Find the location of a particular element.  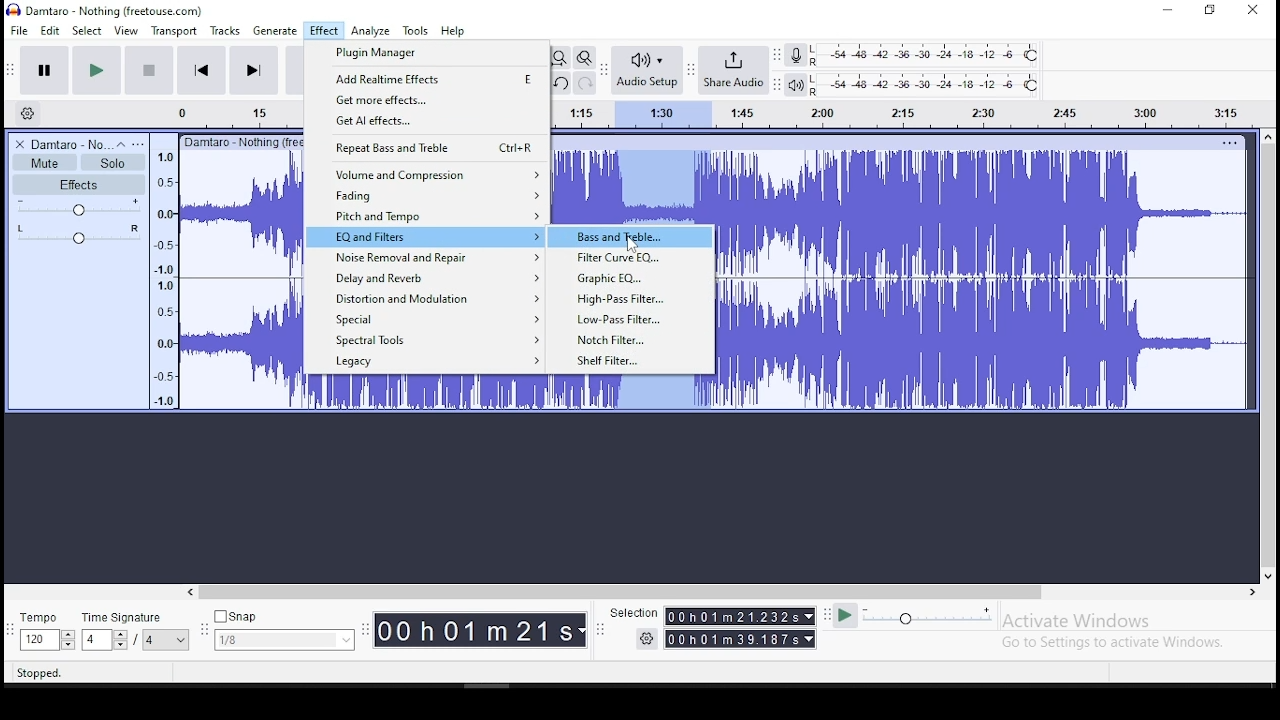

 is located at coordinates (11, 68).